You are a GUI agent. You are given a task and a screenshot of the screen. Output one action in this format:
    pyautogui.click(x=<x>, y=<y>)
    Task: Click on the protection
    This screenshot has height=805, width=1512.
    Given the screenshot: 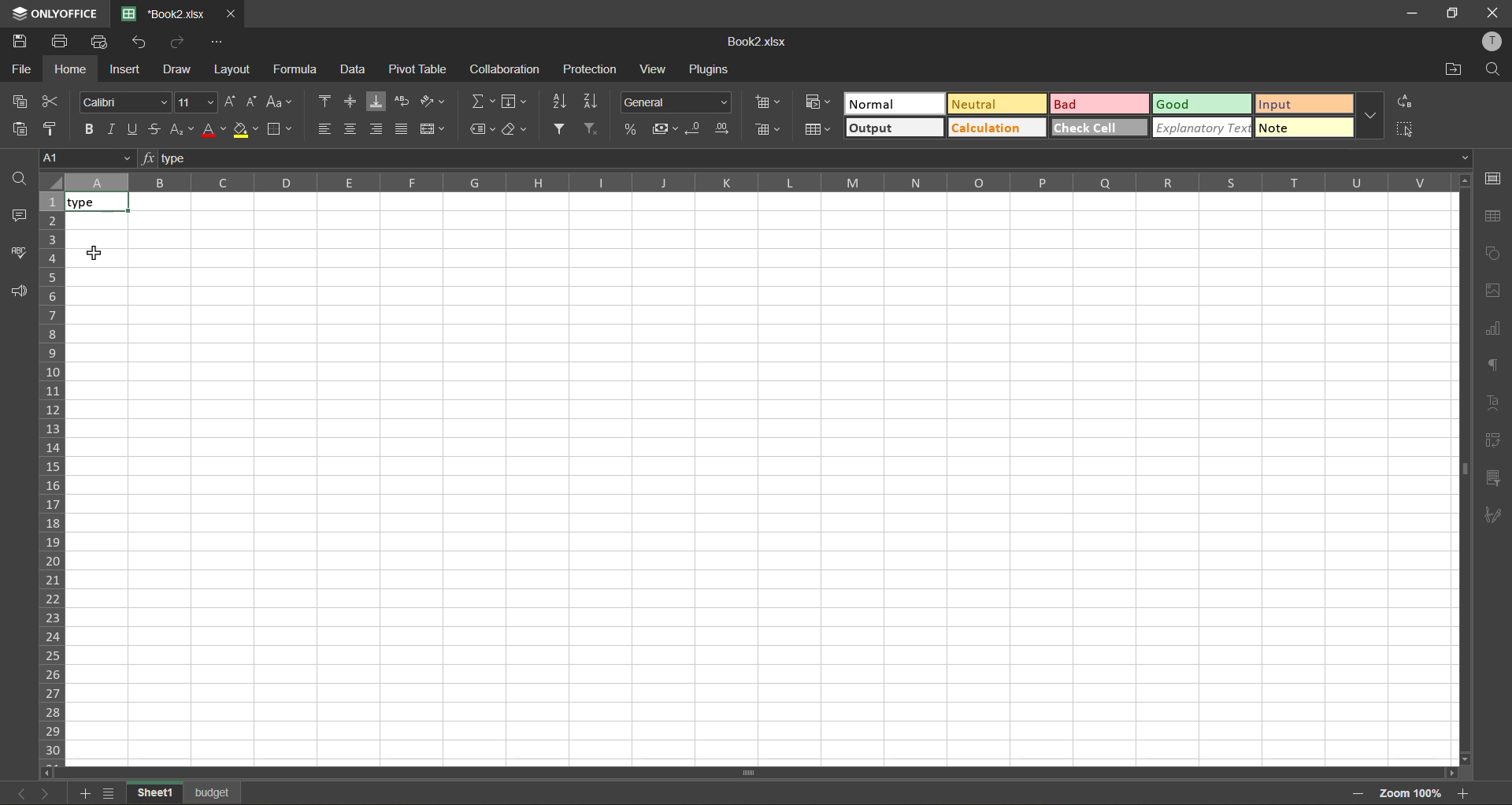 What is the action you would take?
    pyautogui.click(x=592, y=70)
    